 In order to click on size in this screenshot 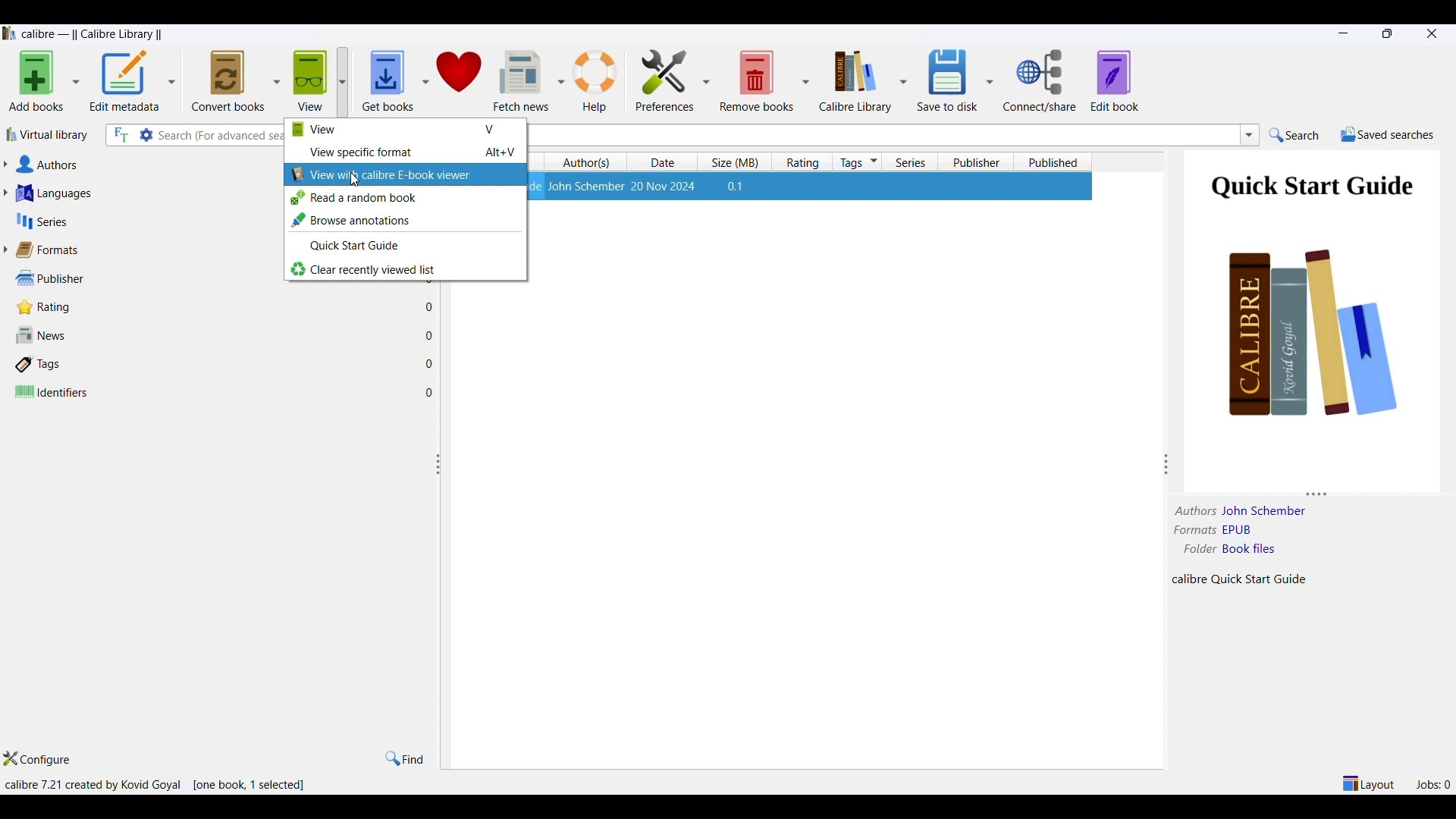, I will do `click(739, 162)`.